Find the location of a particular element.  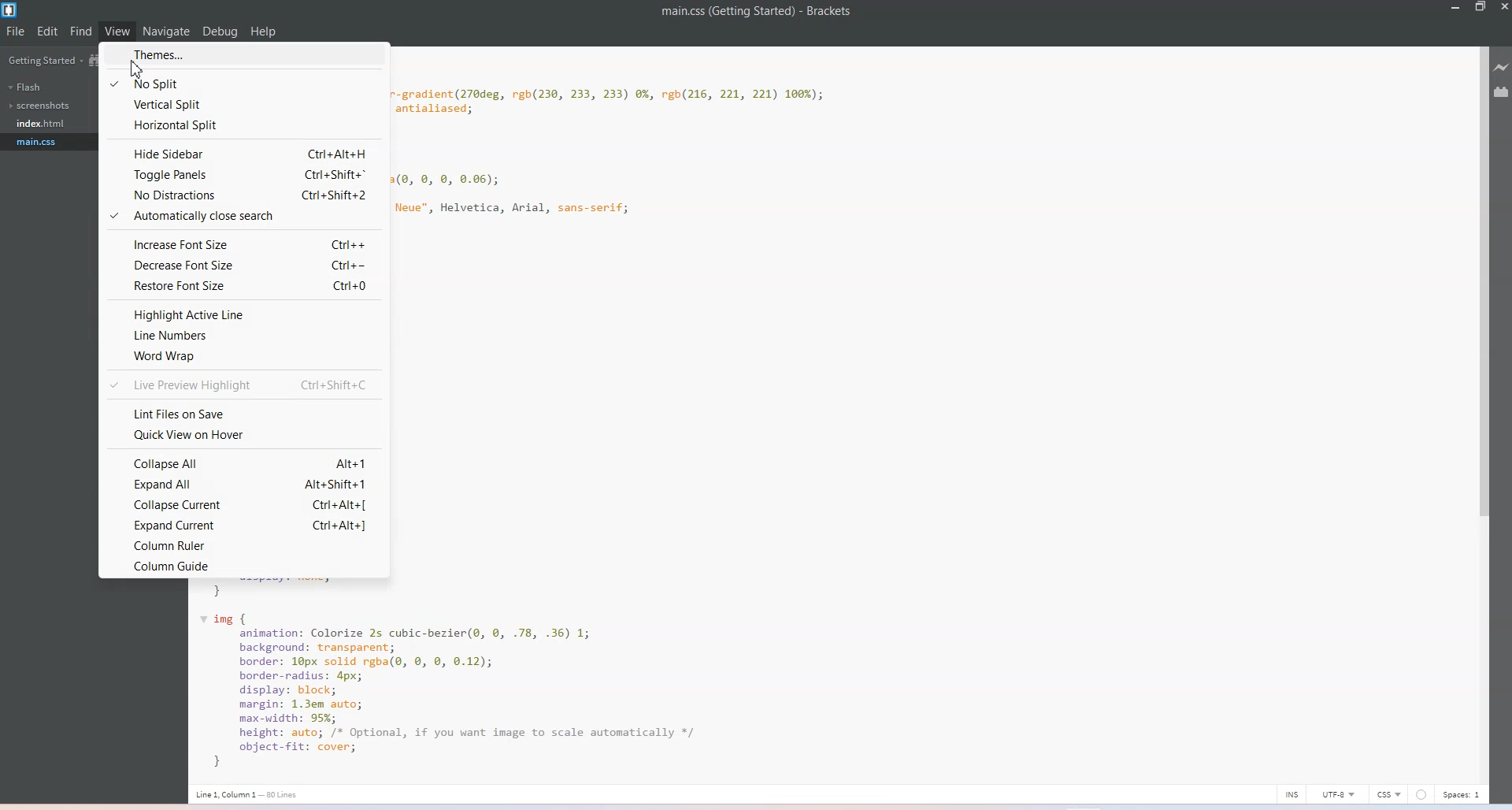

Restore font size is located at coordinates (244, 286).